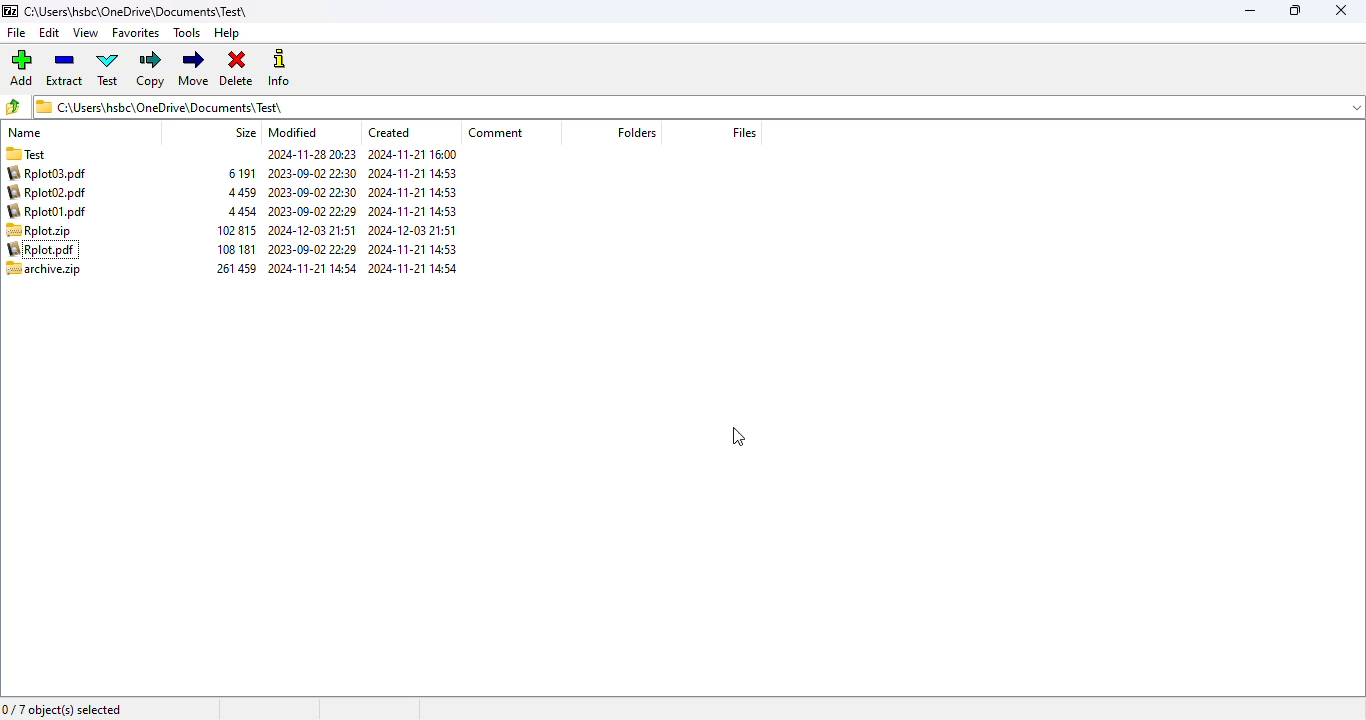 Image resolution: width=1366 pixels, height=720 pixels. I want to click on cursor, so click(738, 437).